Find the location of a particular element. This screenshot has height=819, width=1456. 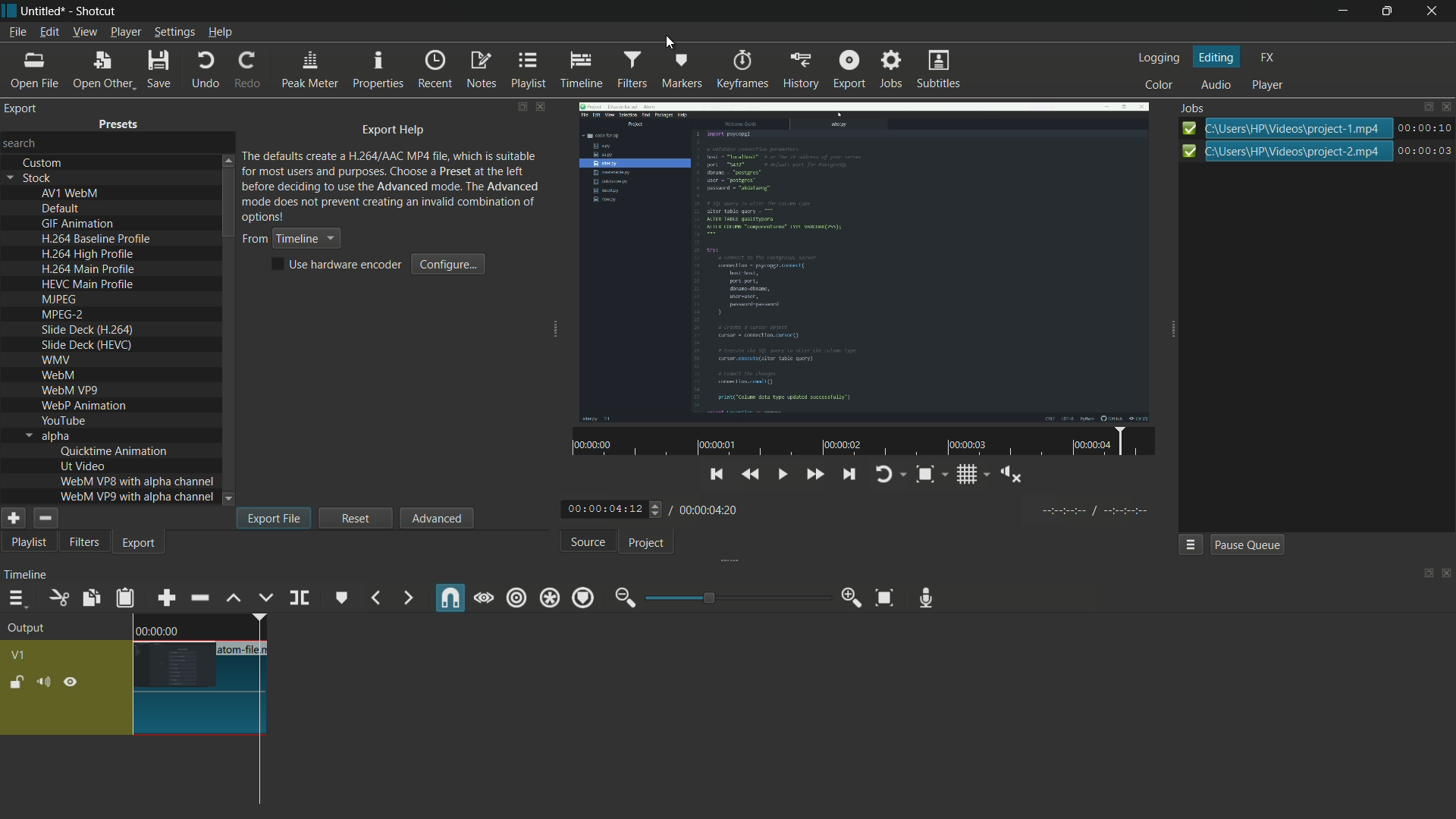

output is located at coordinates (30, 629).